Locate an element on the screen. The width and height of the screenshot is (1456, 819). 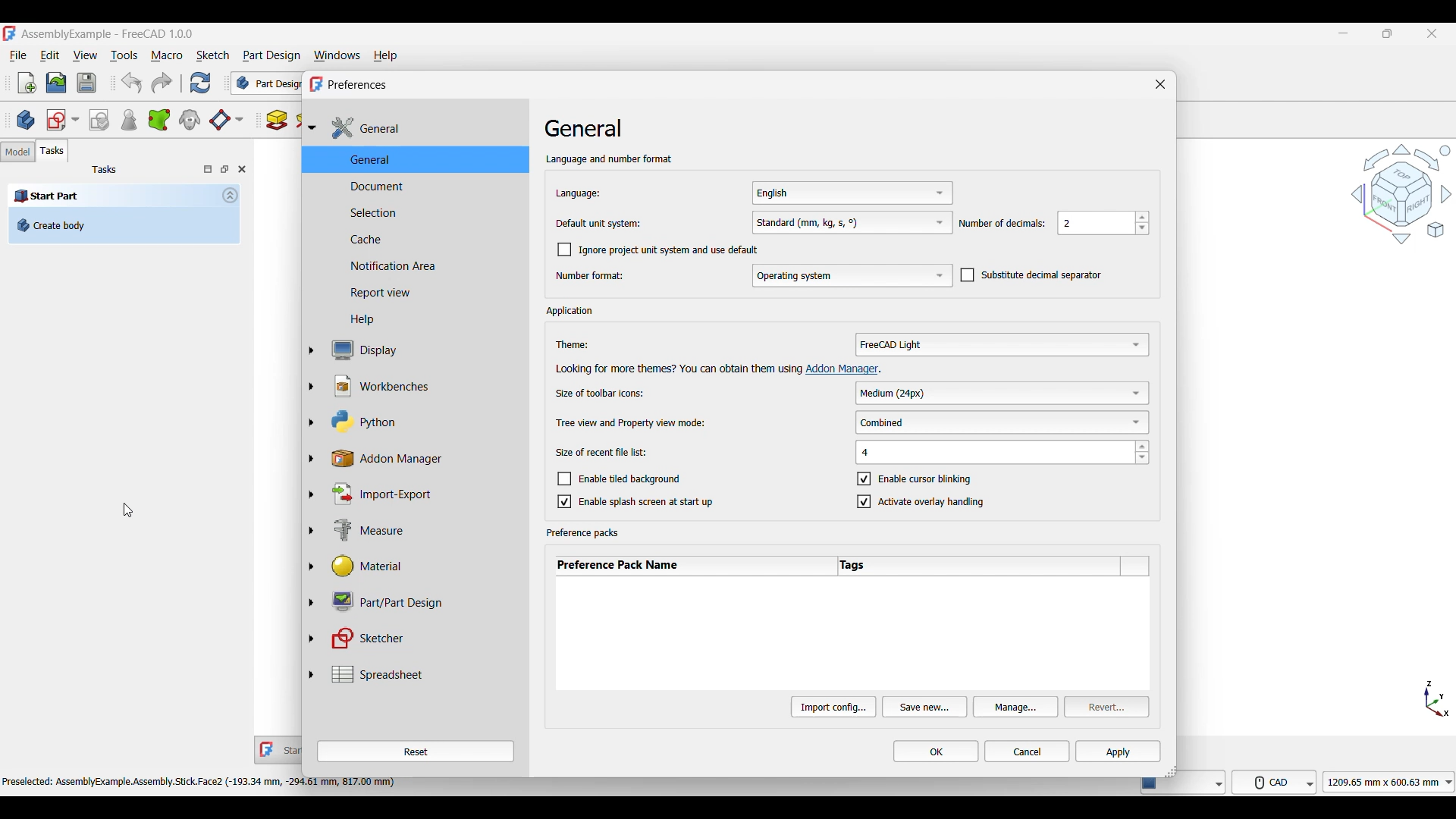
cad is located at coordinates (1275, 782).